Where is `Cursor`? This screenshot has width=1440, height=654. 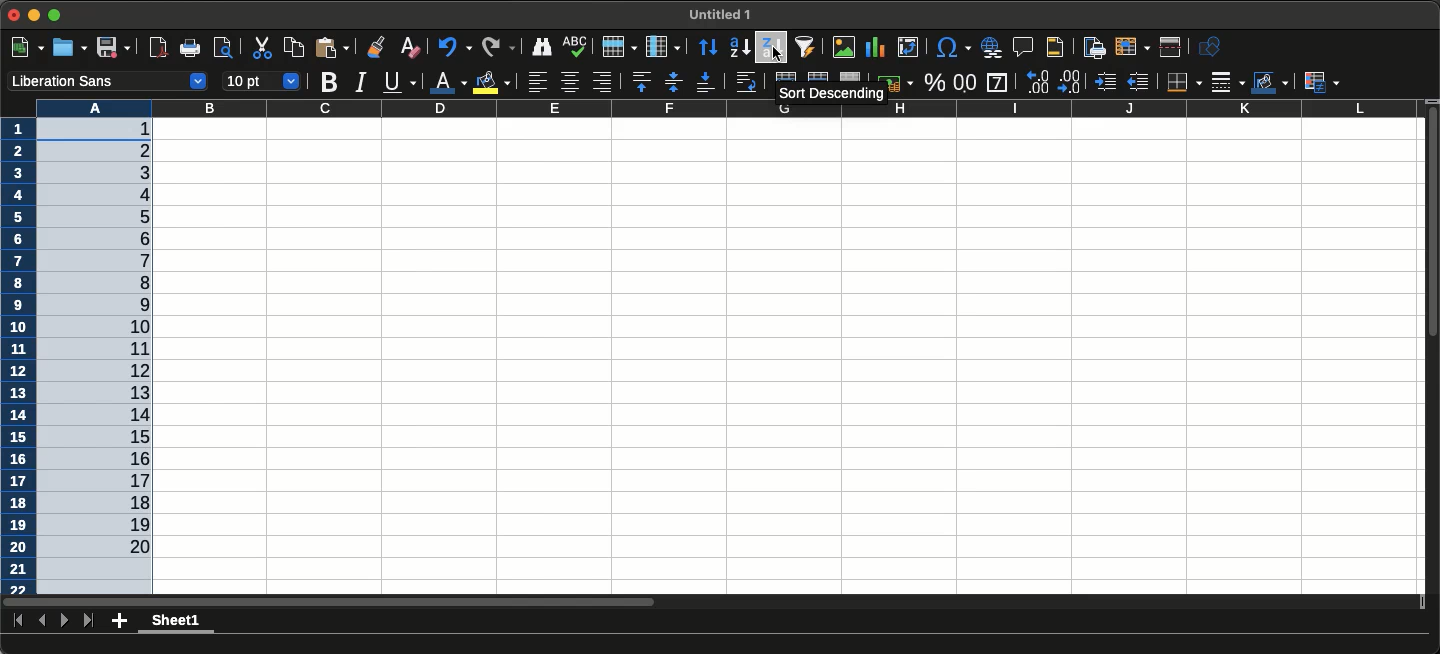
Cursor is located at coordinates (778, 54).